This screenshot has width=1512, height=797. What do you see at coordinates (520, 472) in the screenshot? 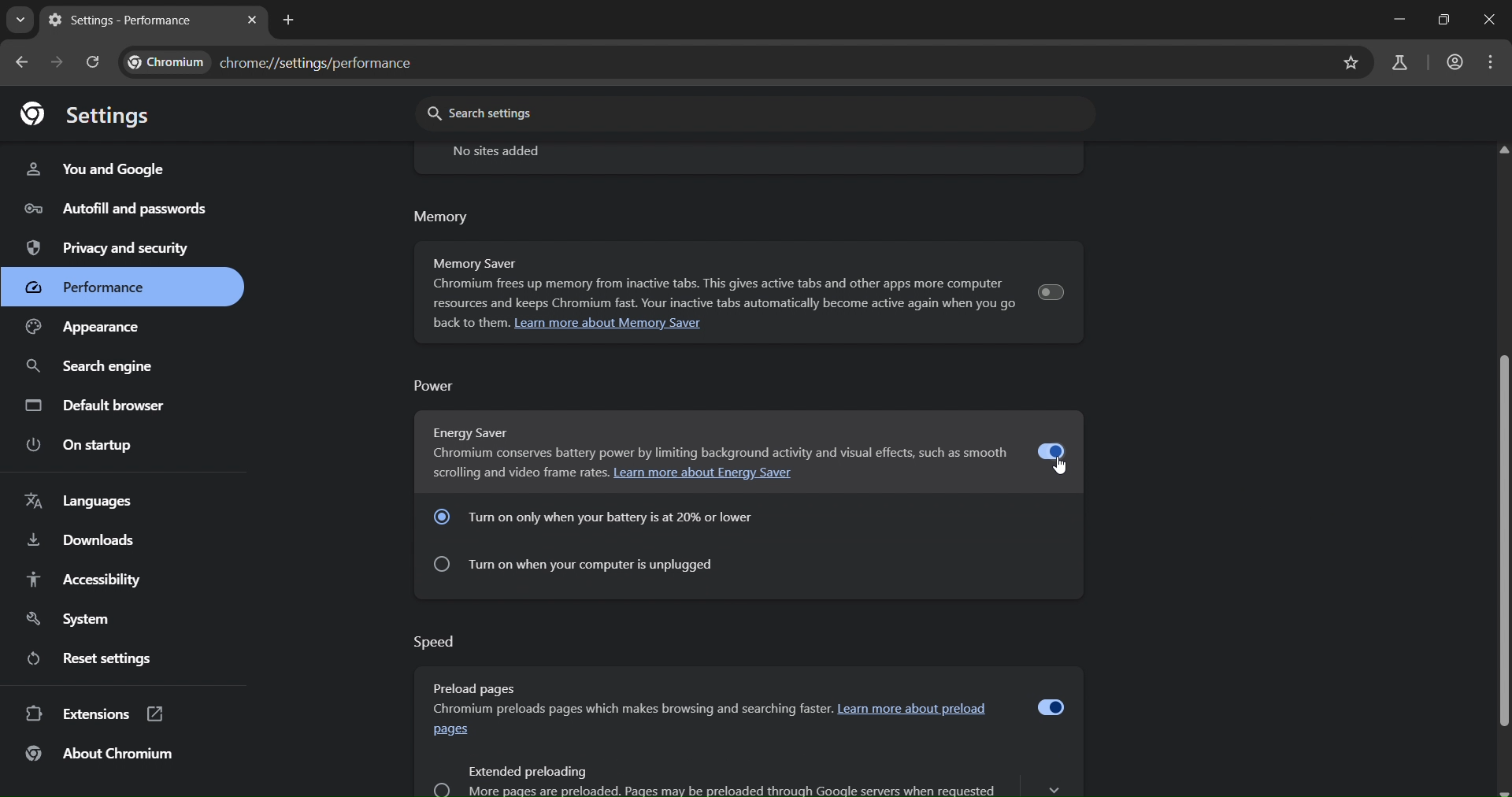
I see `scrolling and video frame rates` at bounding box center [520, 472].